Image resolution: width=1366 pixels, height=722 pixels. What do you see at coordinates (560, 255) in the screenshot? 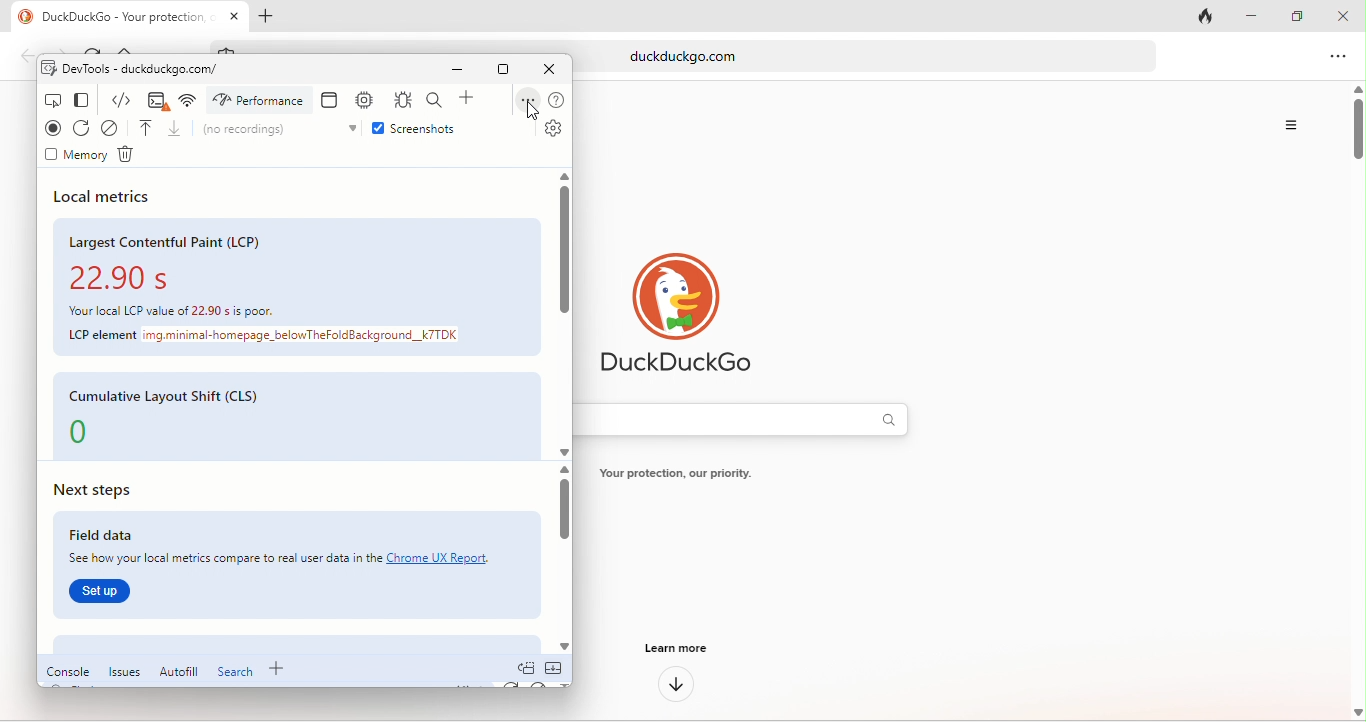
I see `vertical scroll bar` at bounding box center [560, 255].